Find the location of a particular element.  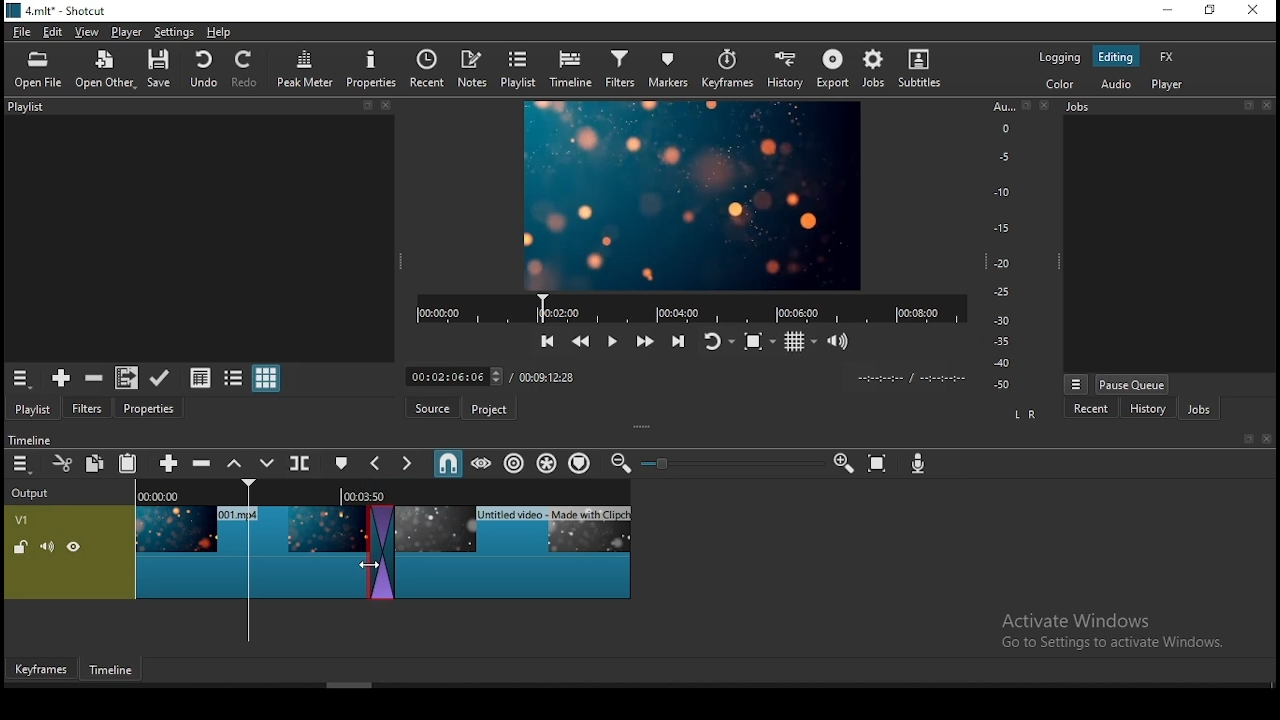

 is located at coordinates (165, 462).